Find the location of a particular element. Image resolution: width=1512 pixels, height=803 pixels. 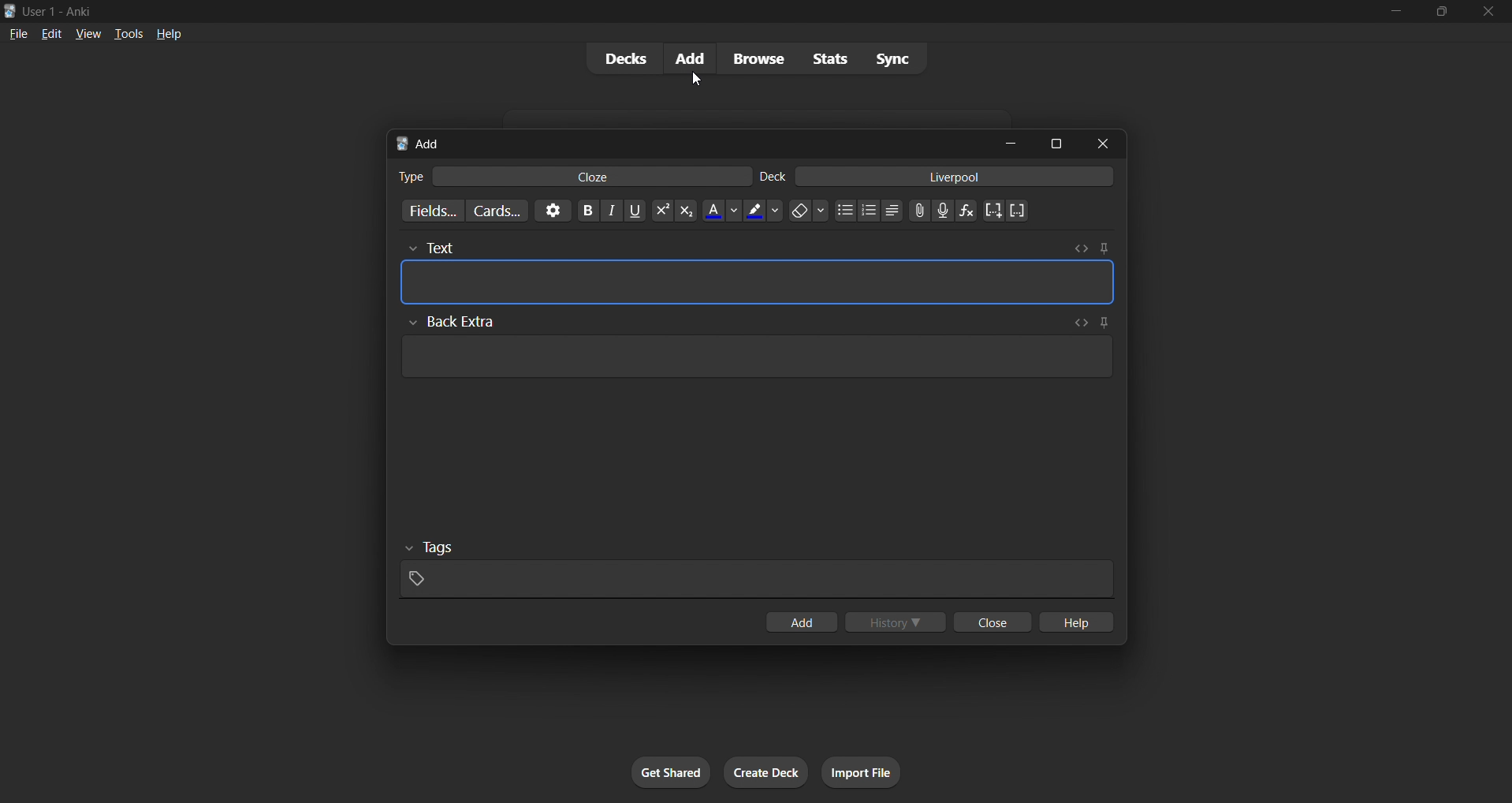

add is located at coordinates (810, 623).